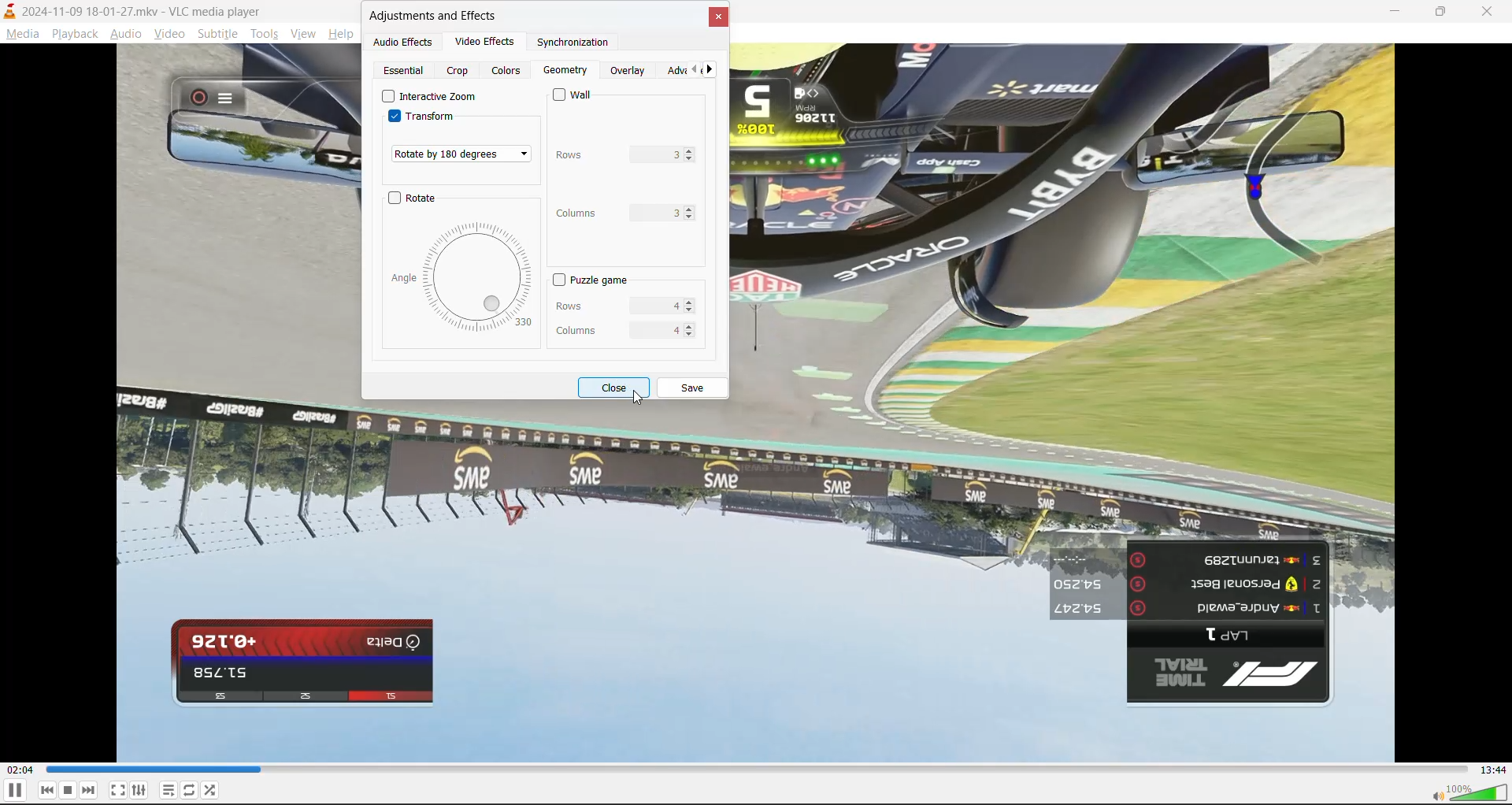  I want to click on media, so click(24, 35).